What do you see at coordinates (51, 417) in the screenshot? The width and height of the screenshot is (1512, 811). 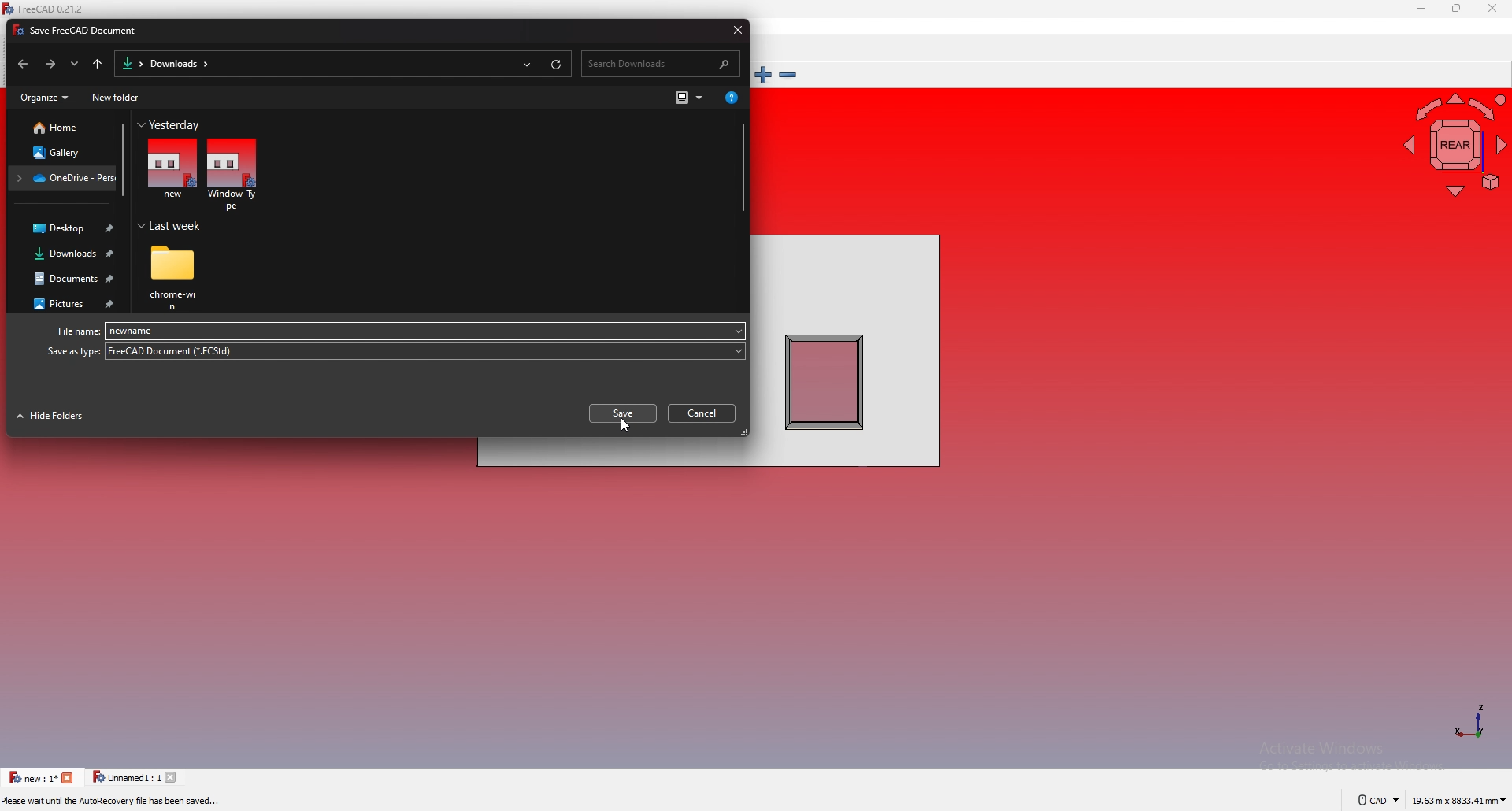 I see `hide folders` at bounding box center [51, 417].